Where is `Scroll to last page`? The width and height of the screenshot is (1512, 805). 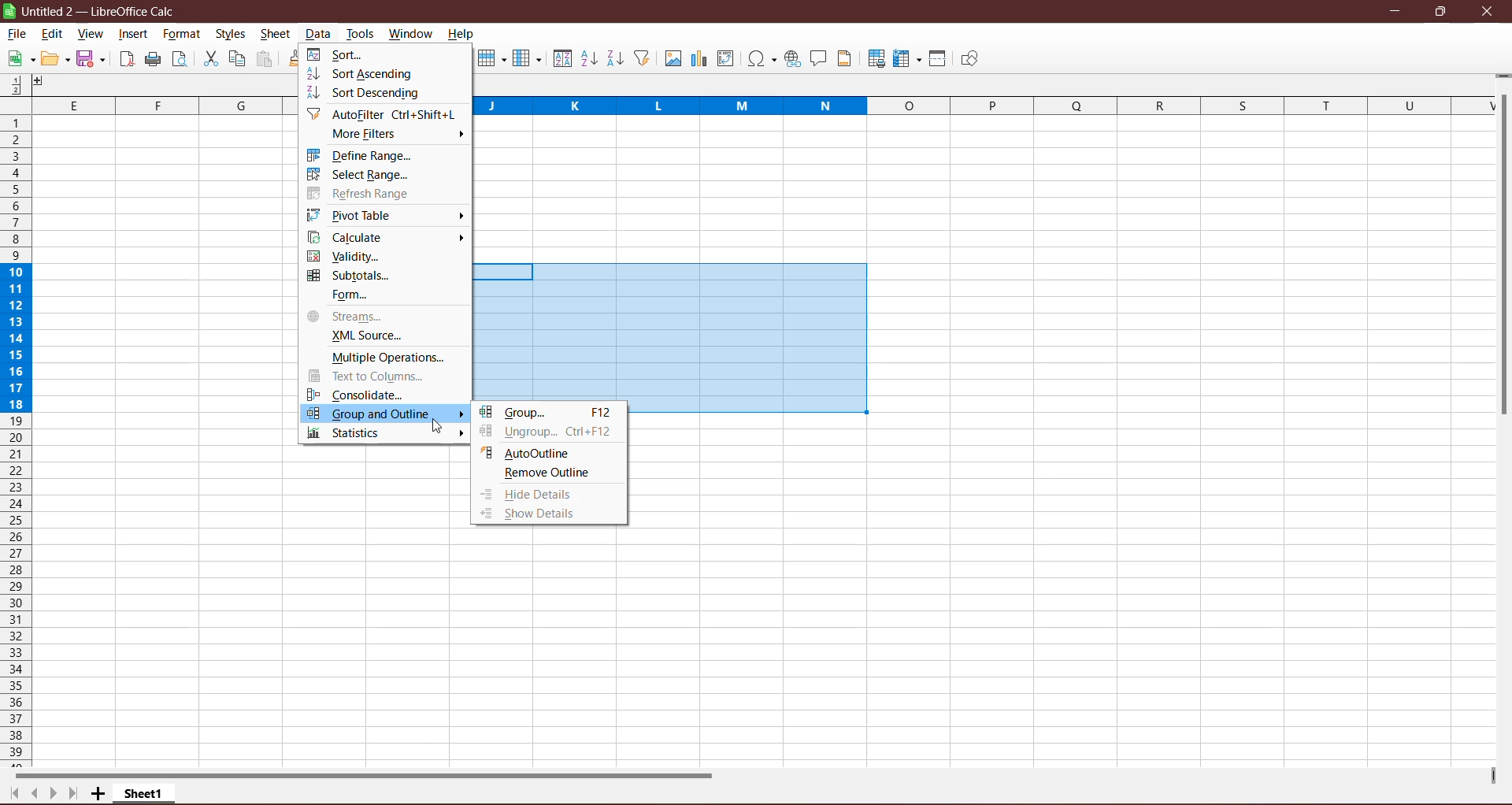
Scroll to last page is located at coordinates (72, 795).